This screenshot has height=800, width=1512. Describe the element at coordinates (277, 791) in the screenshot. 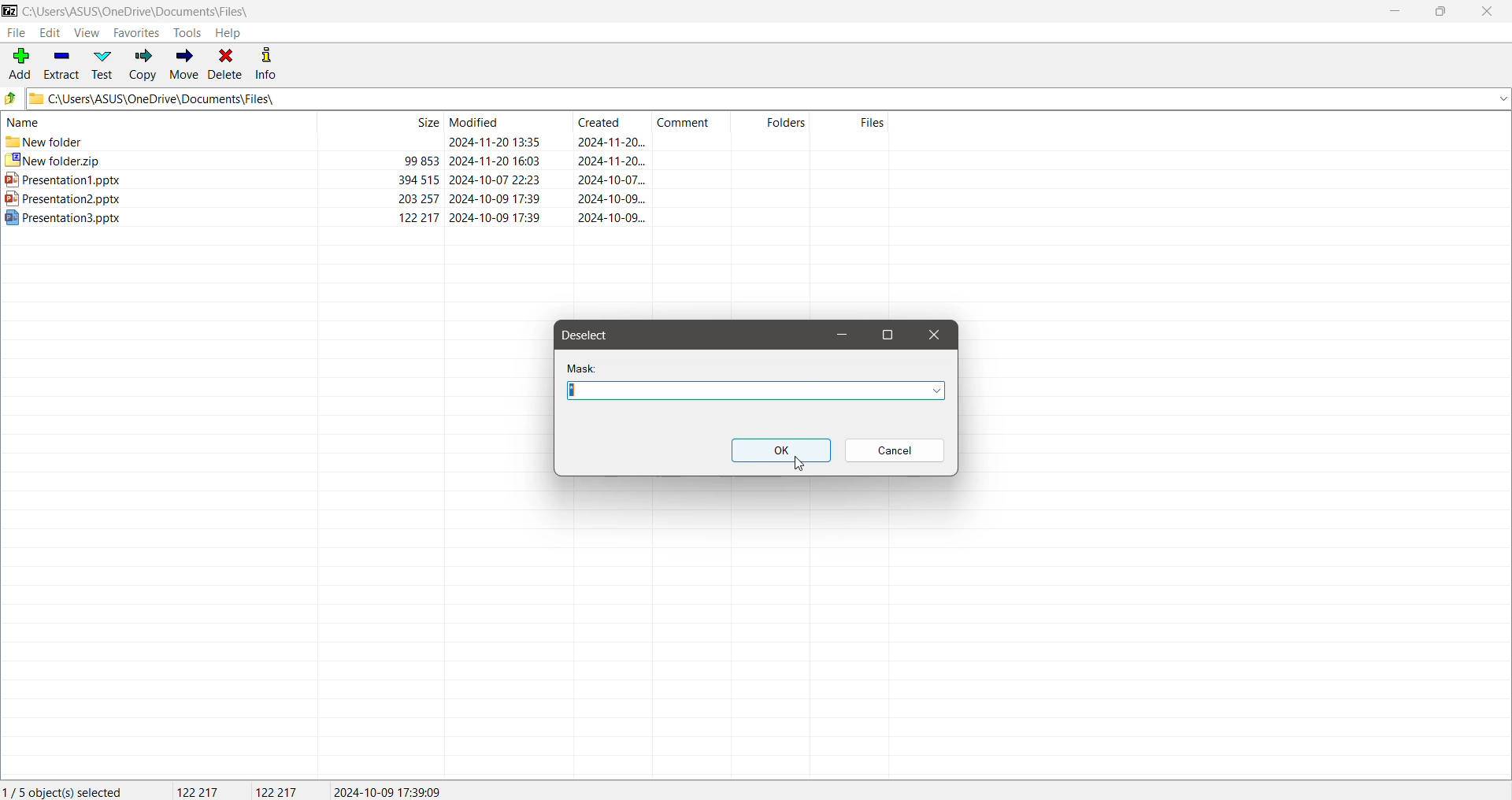

I see `Size of the last file selected` at that location.